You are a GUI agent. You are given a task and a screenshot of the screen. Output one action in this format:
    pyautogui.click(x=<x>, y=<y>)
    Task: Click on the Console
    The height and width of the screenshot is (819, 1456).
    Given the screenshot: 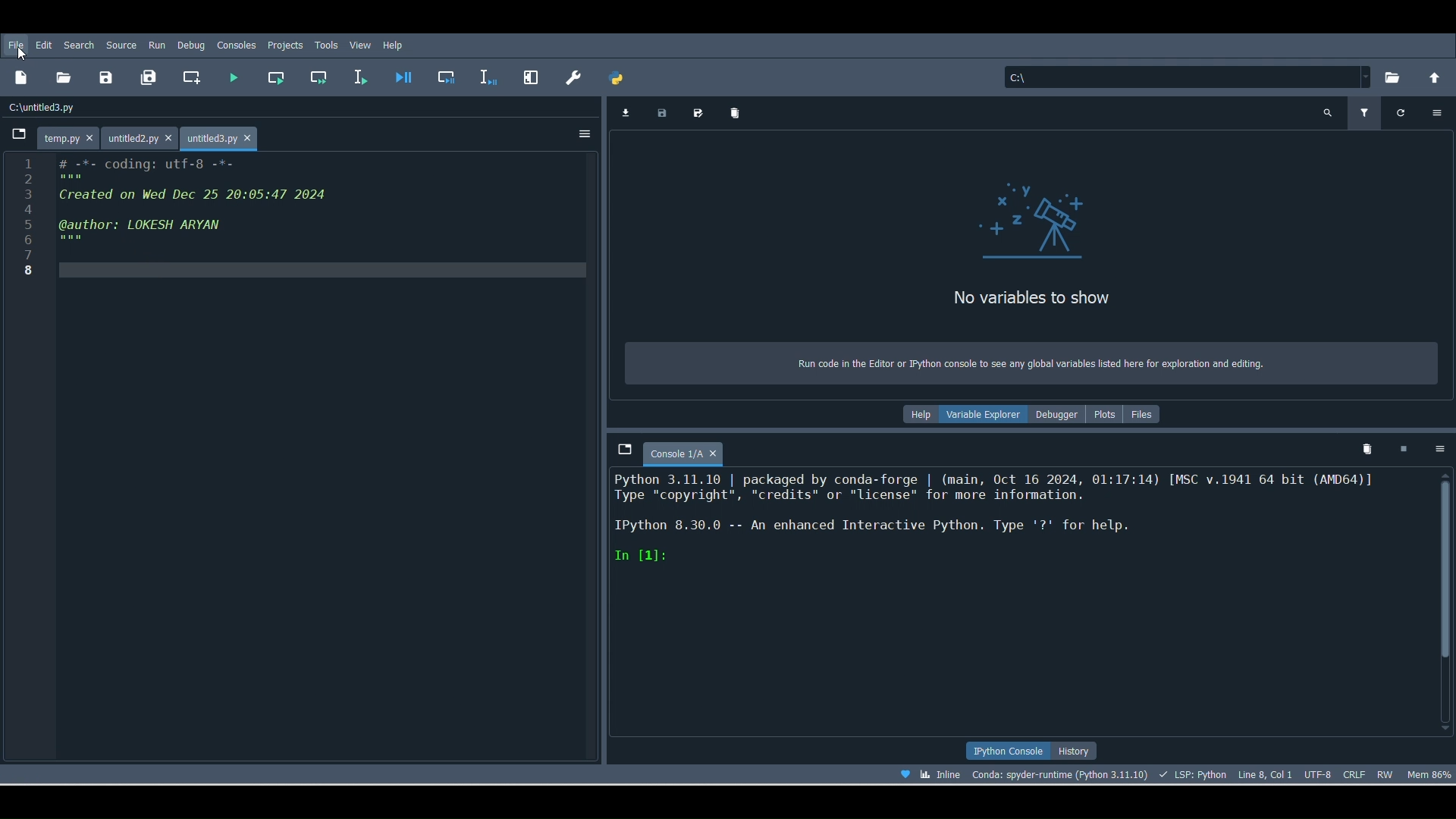 What is the action you would take?
    pyautogui.click(x=1019, y=605)
    